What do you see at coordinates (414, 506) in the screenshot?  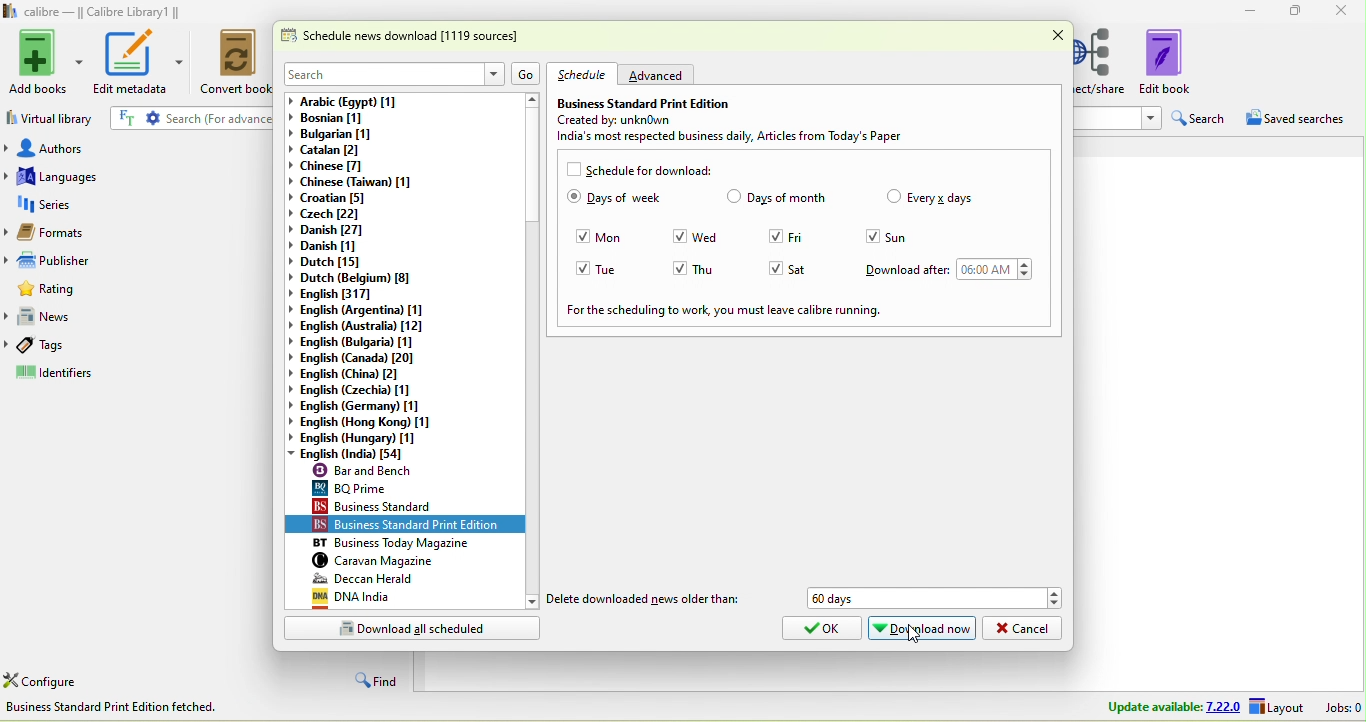 I see `business standard` at bounding box center [414, 506].